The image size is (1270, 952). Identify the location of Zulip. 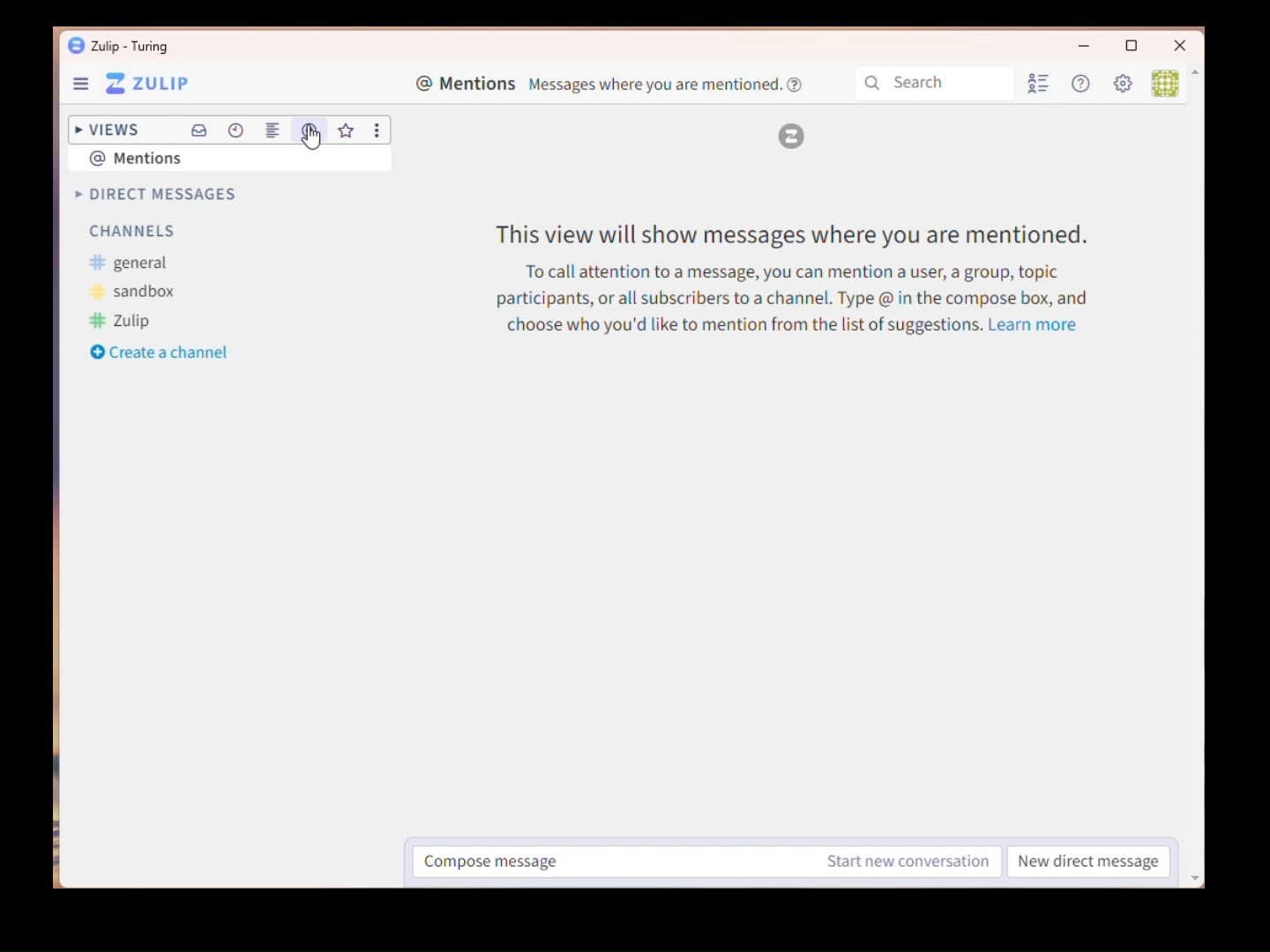
(120, 46).